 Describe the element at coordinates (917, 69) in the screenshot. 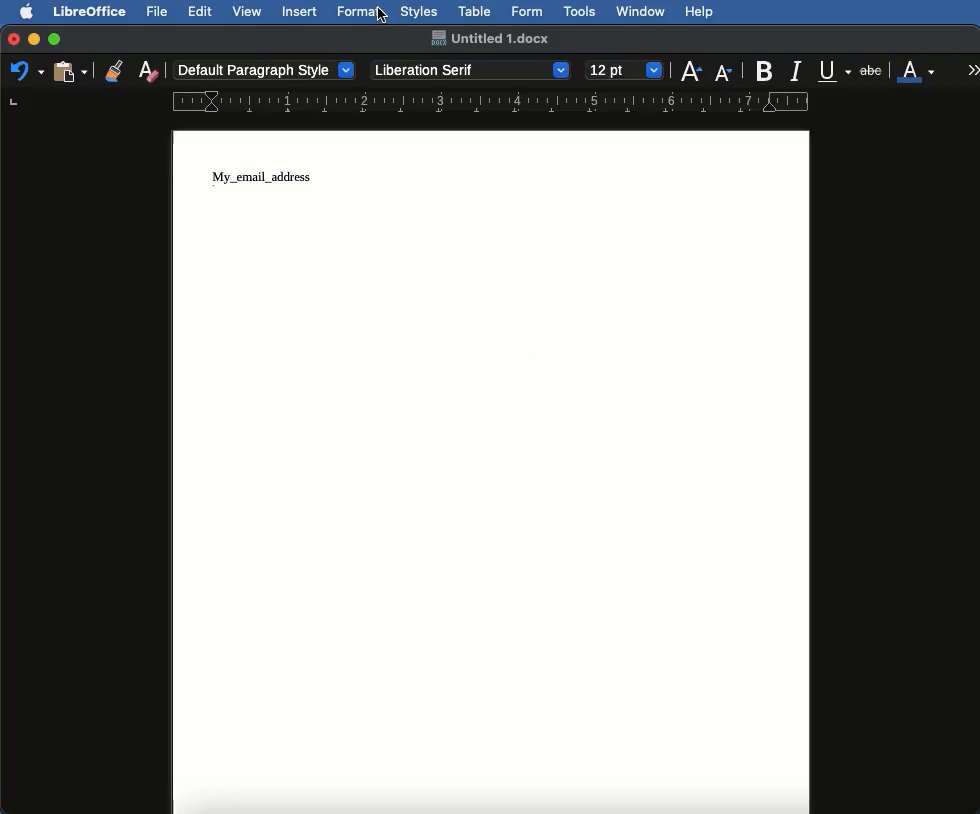

I see `Font color` at that location.